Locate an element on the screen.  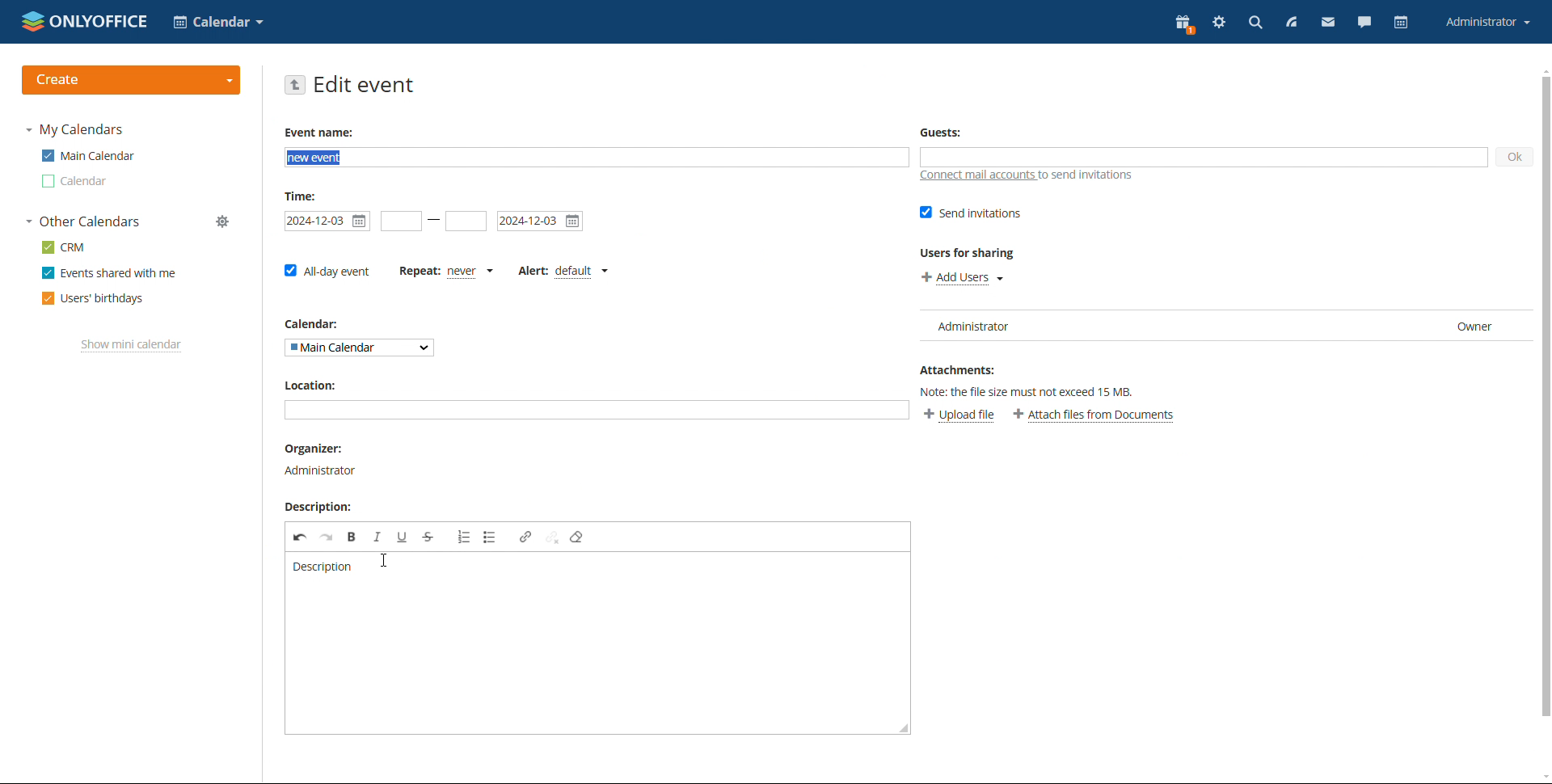
end time is located at coordinates (466, 221).